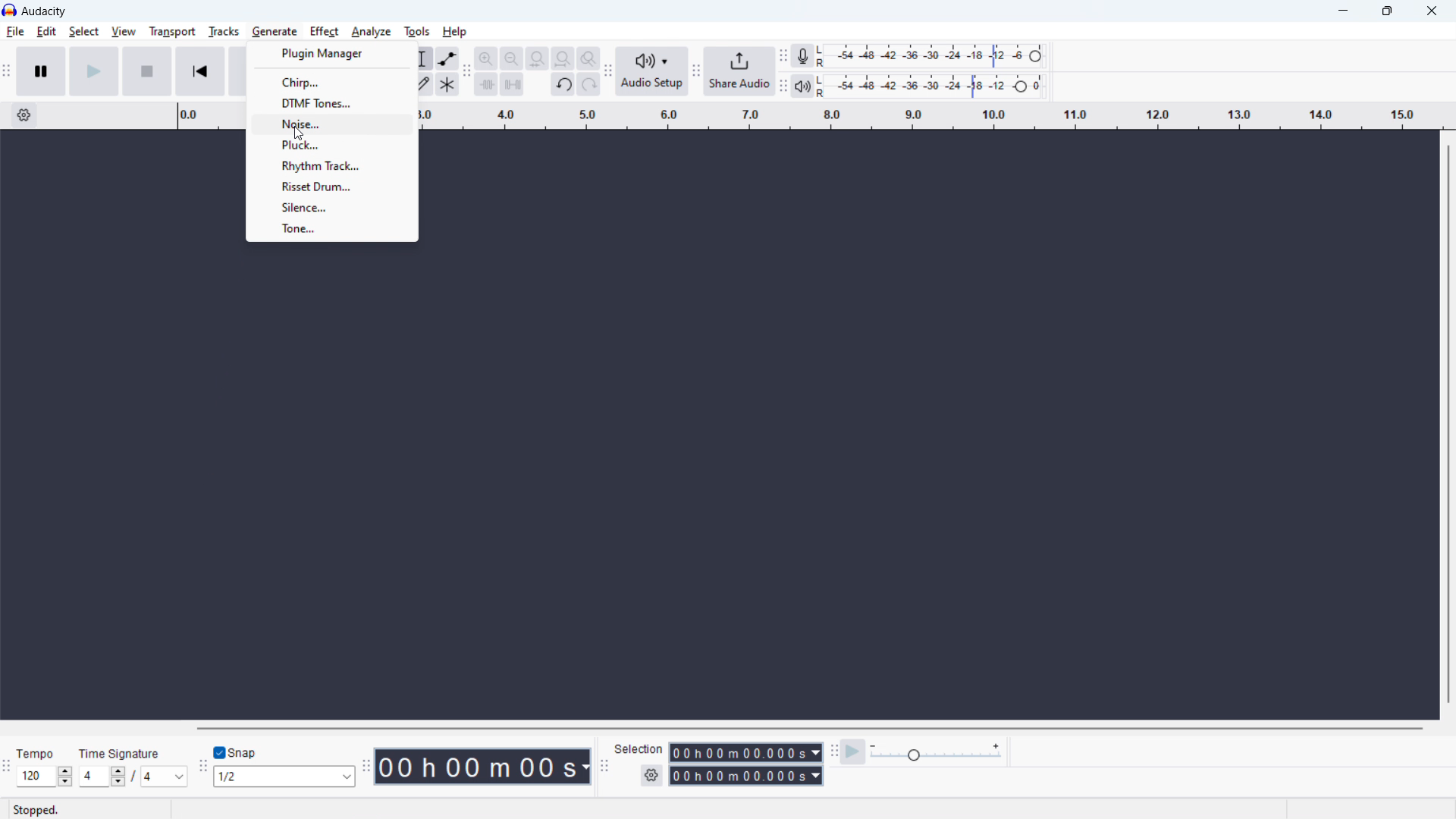 The width and height of the screenshot is (1456, 819). Describe the element at coordinates (333, 228) in the screenshot. I see `tone` at that location.